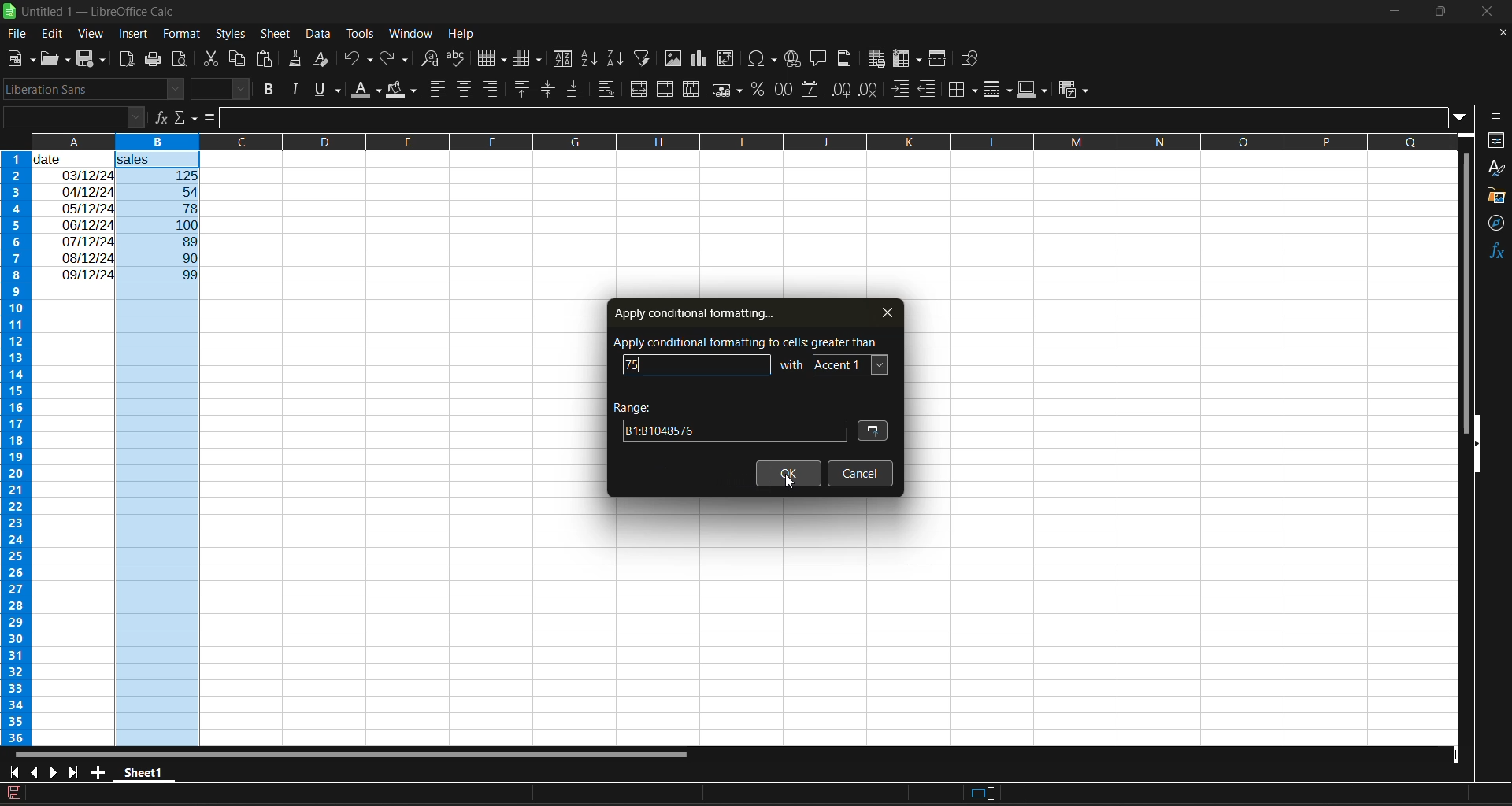  Describe the element at coordinates (1497, 168) in the screenshot. I see `style` at that location.